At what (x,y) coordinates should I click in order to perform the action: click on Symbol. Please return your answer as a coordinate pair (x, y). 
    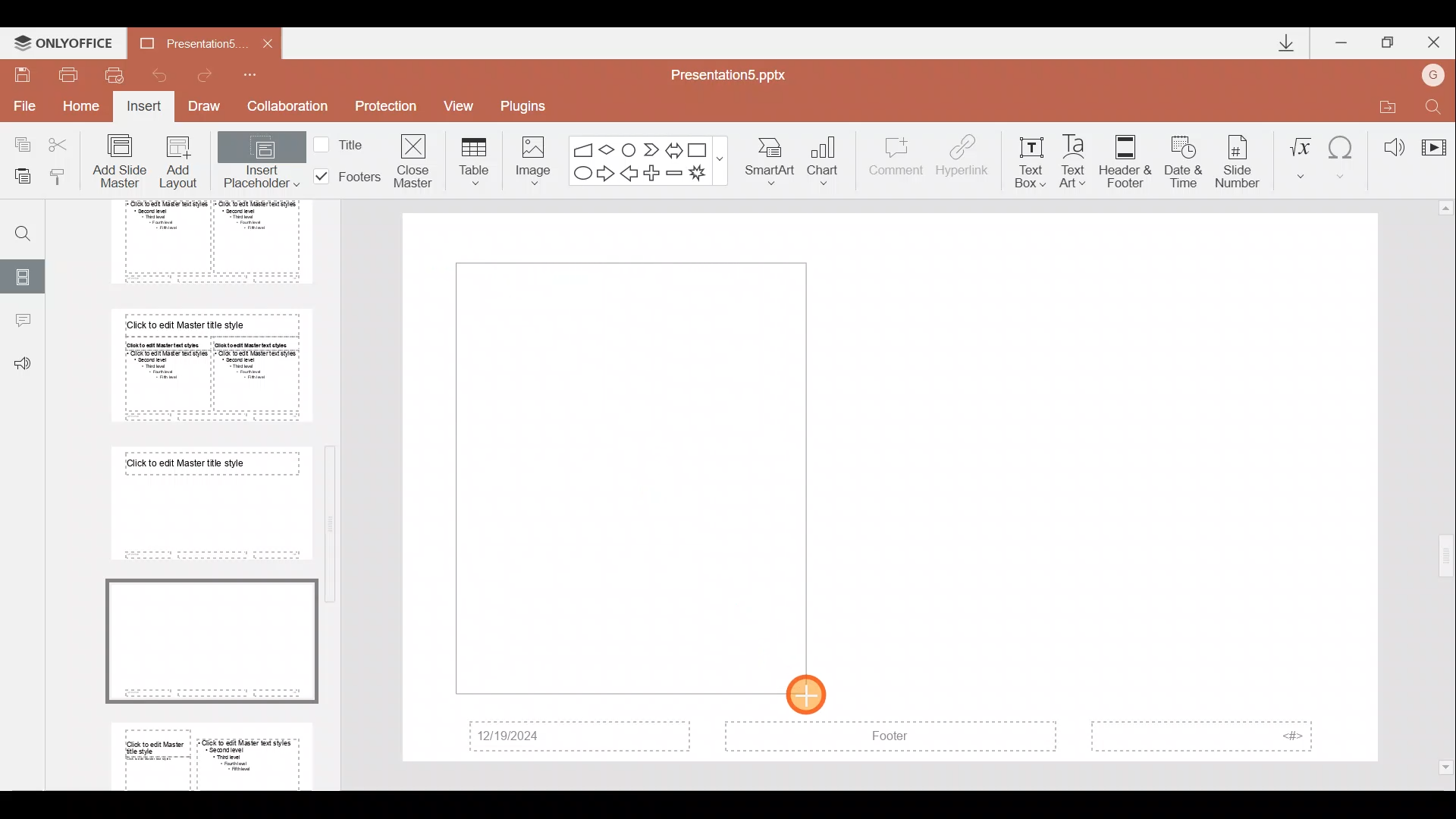
    Looking at the image, I should click on (1343, 155).